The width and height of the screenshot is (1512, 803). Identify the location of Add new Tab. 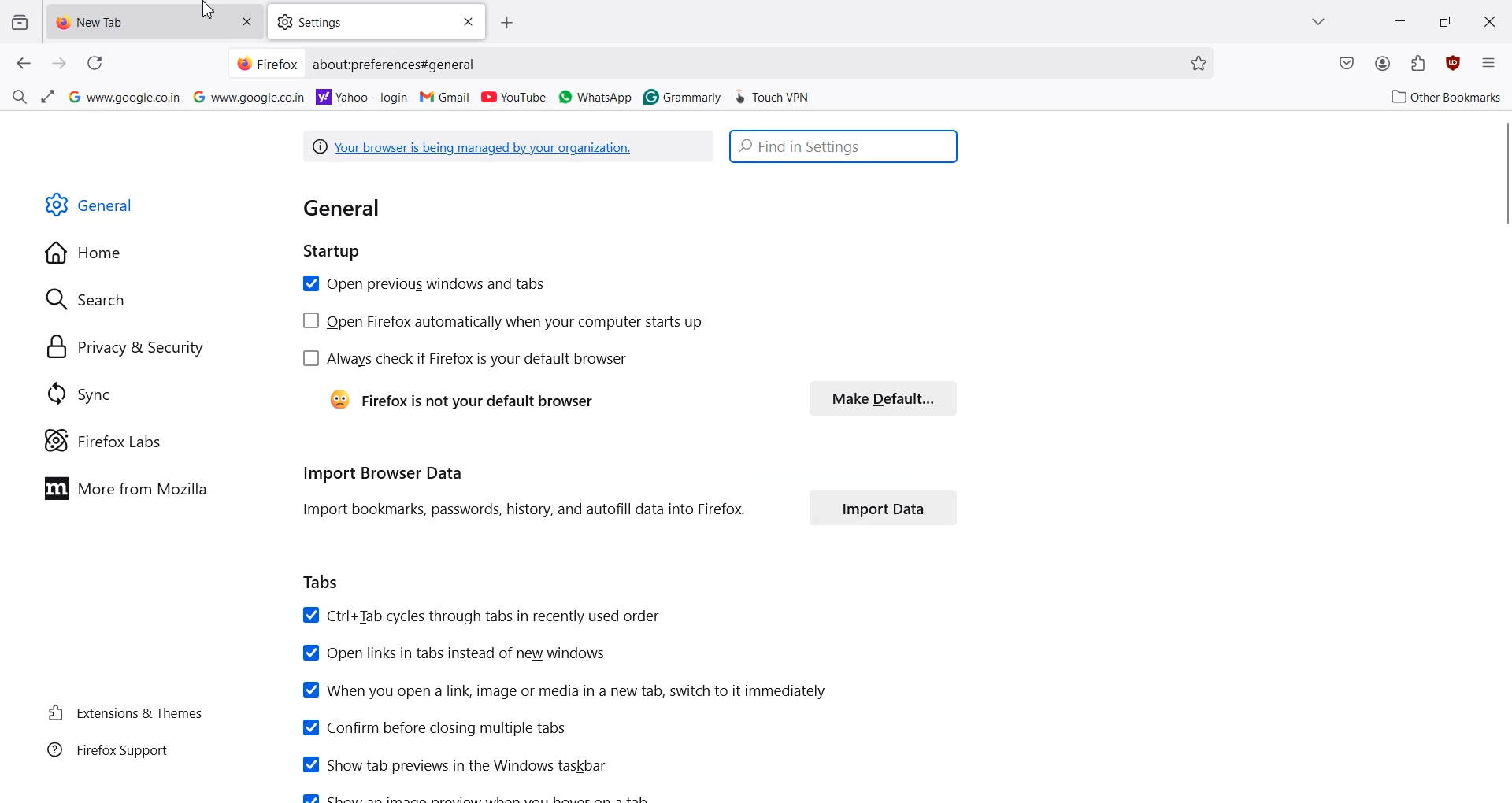
(512, 22).